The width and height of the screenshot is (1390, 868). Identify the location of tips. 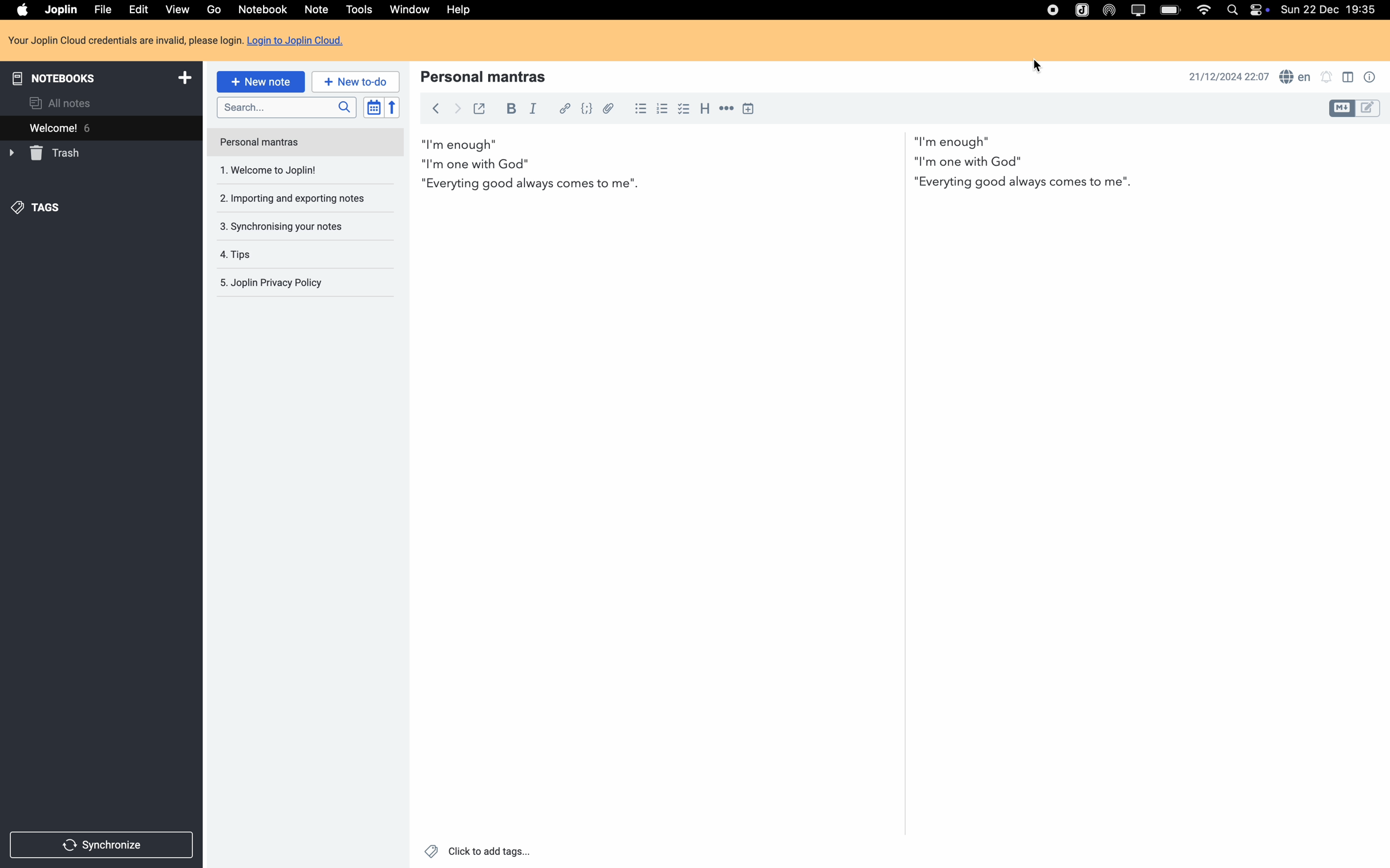
(236, 256).